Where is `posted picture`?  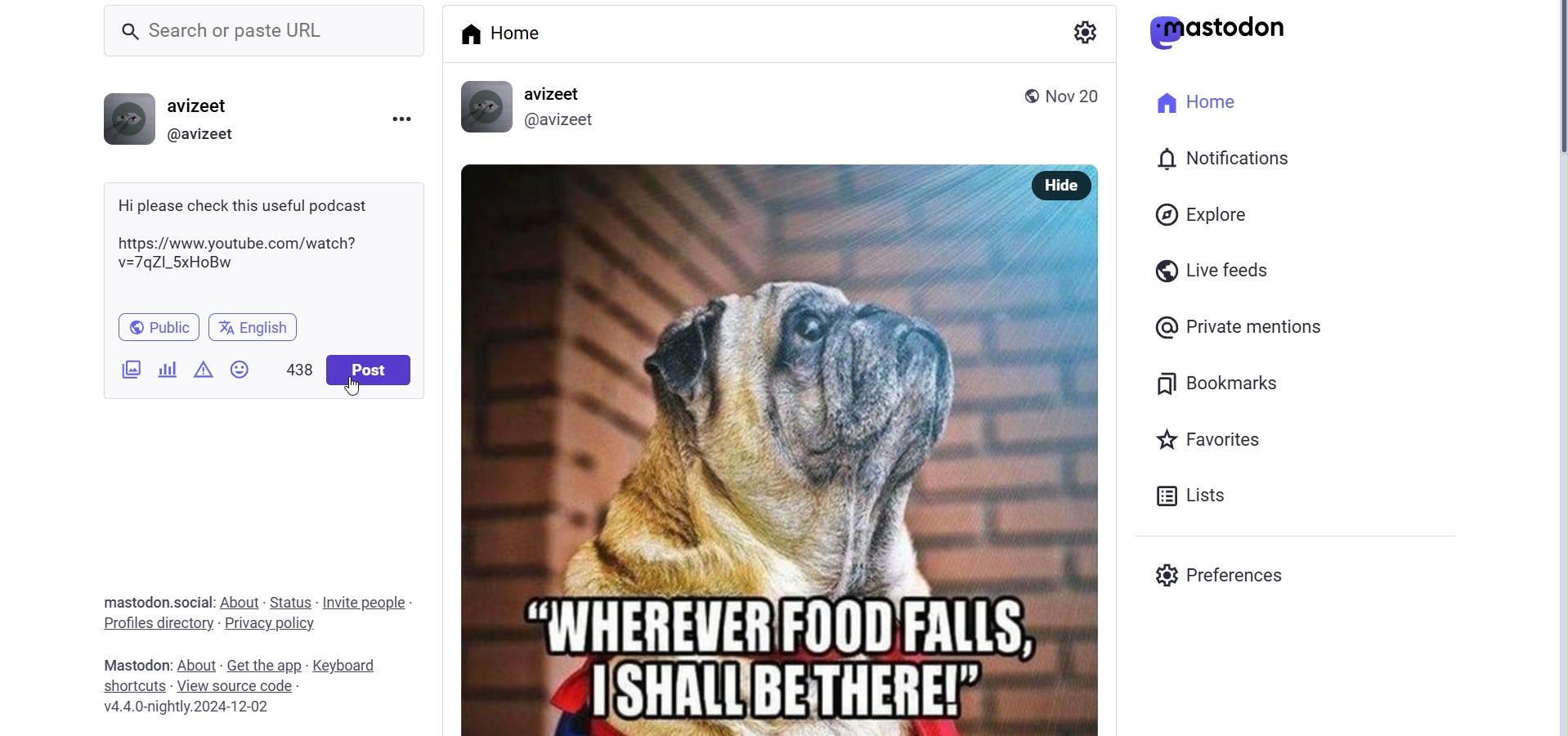 posted picture is located at coordinates (741, 451).